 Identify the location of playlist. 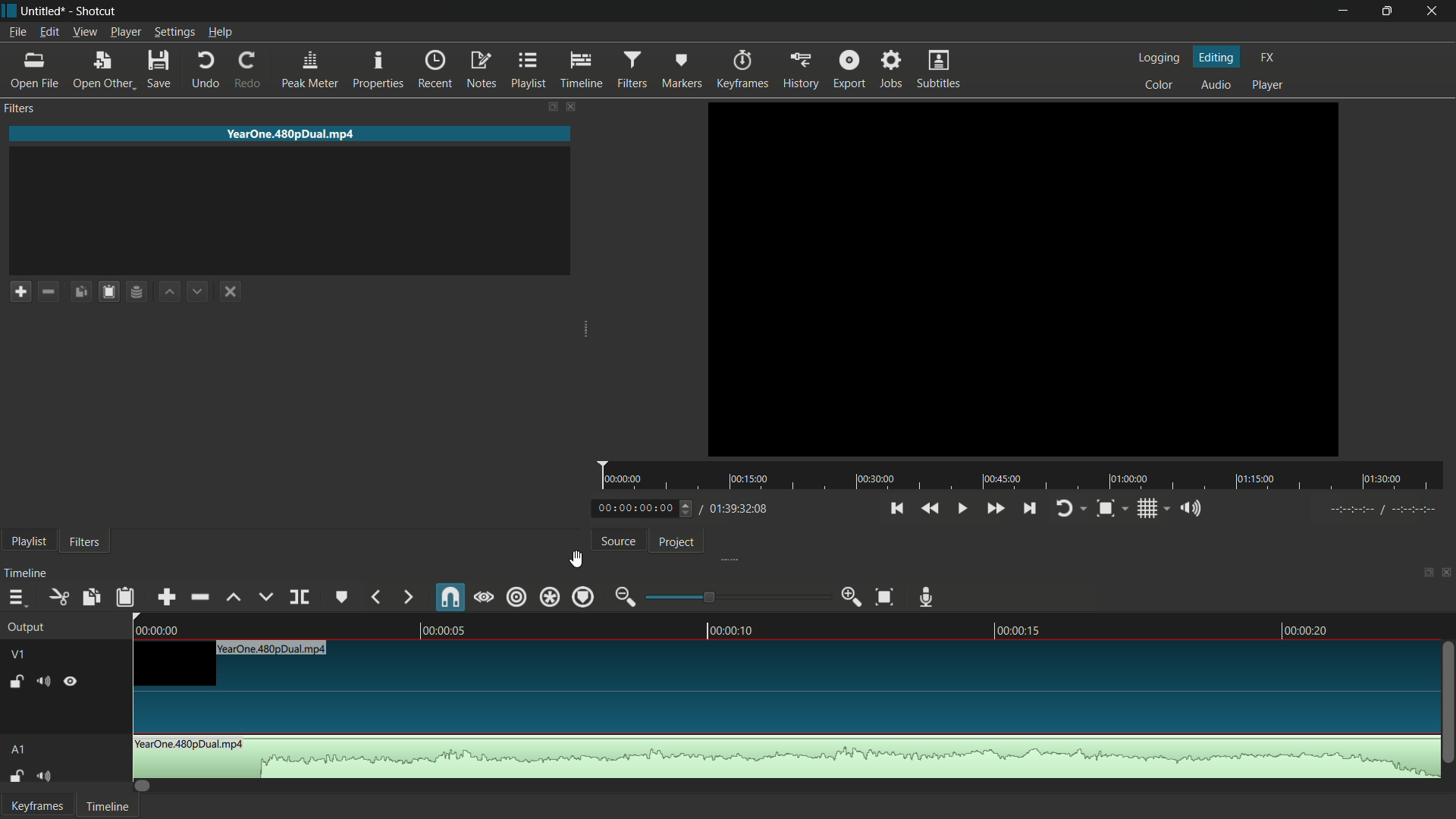
(29, 542).